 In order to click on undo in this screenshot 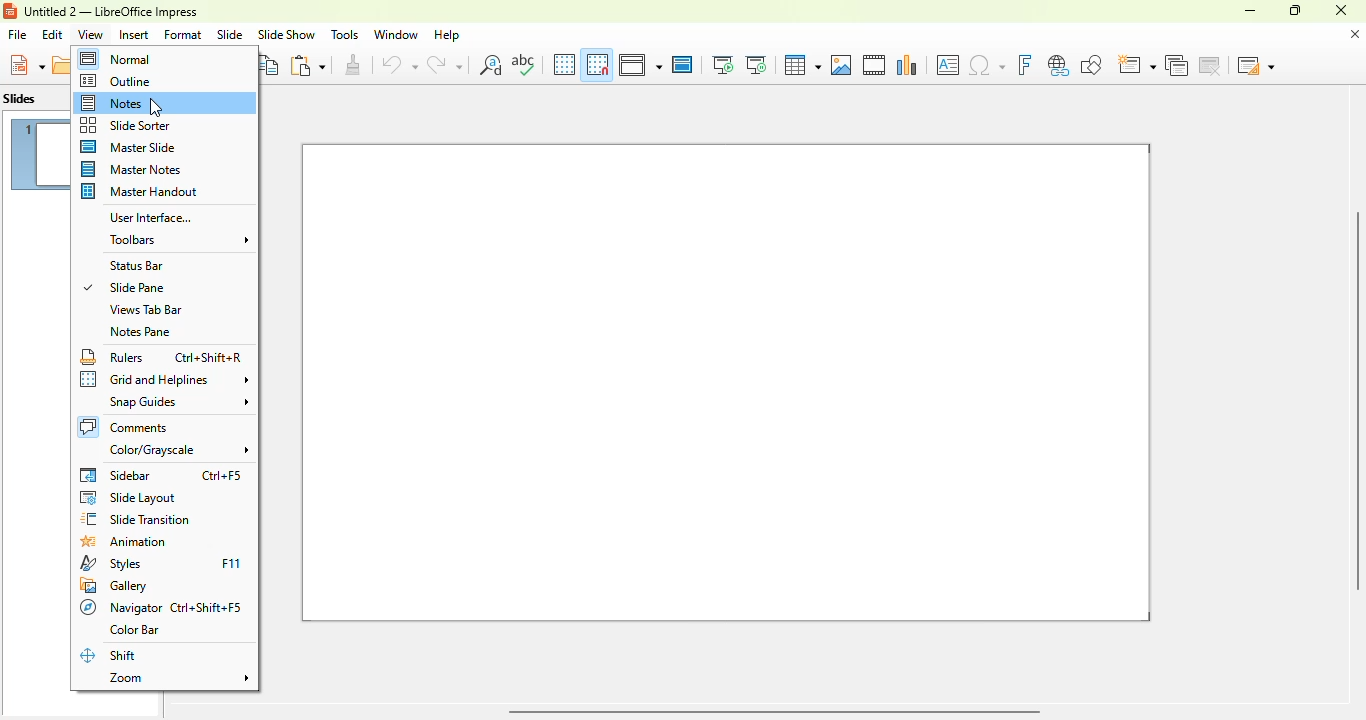, I will do `click(398, 65)`.